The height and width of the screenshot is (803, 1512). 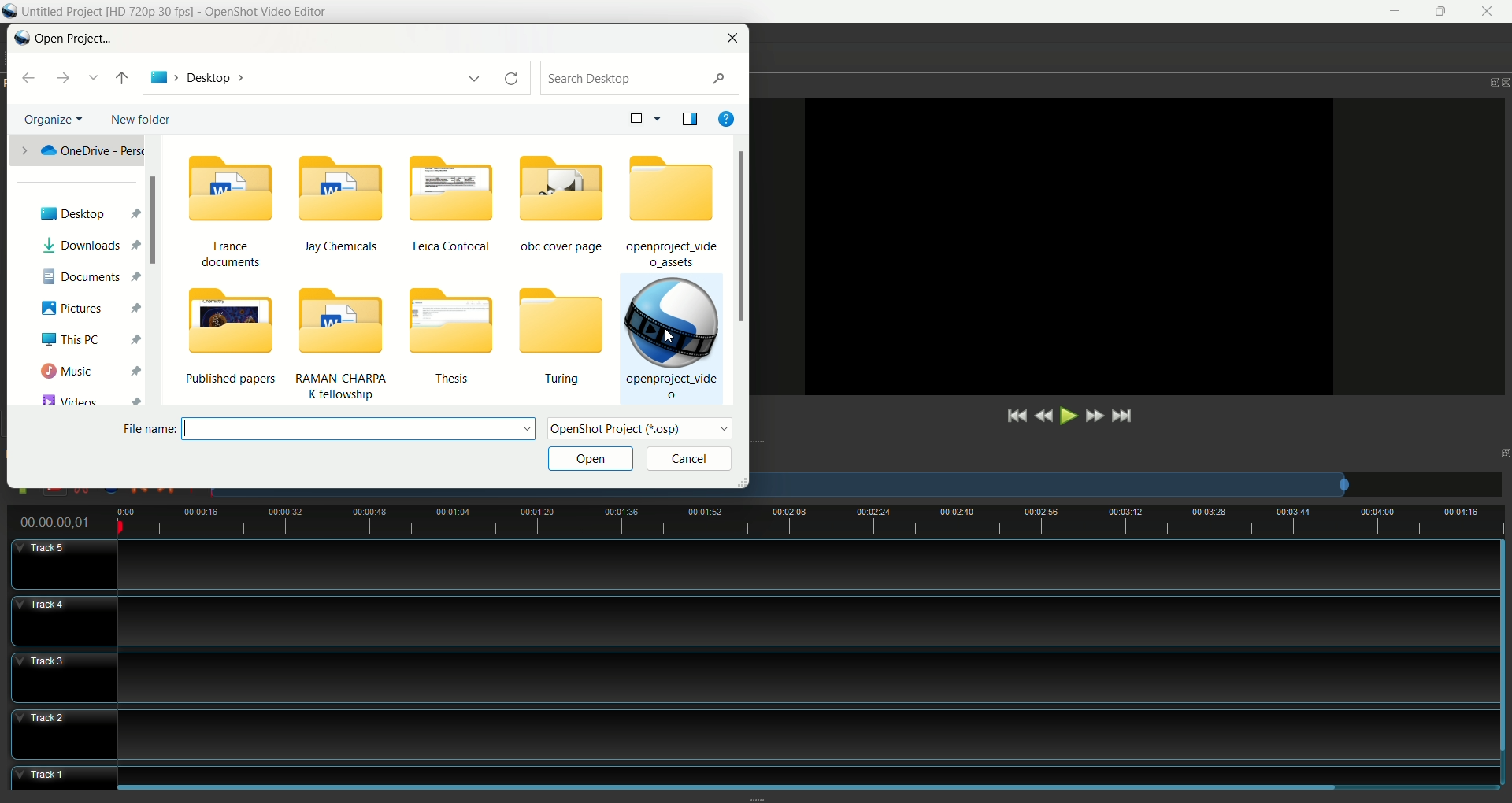 I want to click on RAMAN-CHARPA
K fellowship, so click(x=351, y=347).